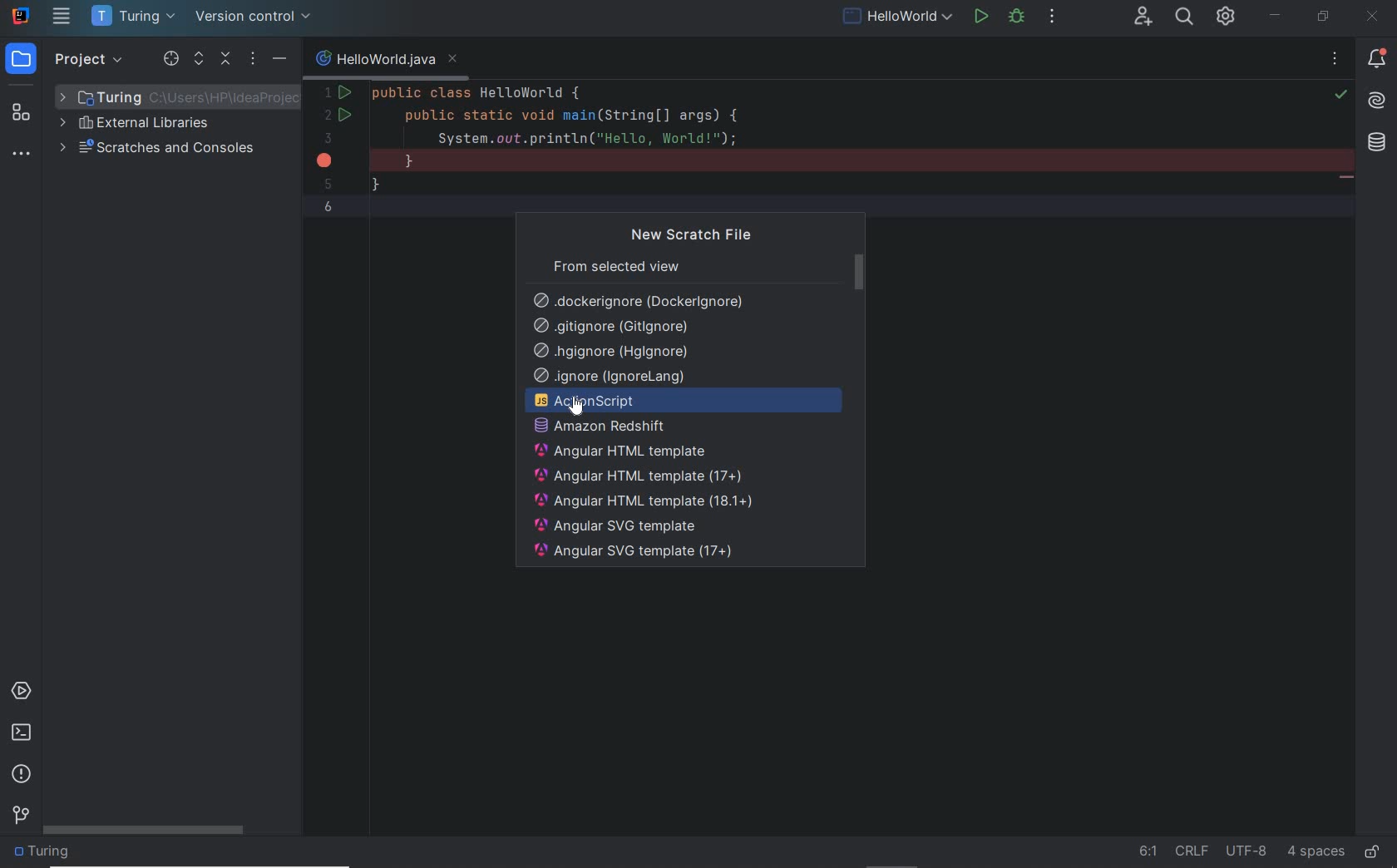  Describe the element at coordinates (62, 17) in the screenshot. I see `main menu` at that location.